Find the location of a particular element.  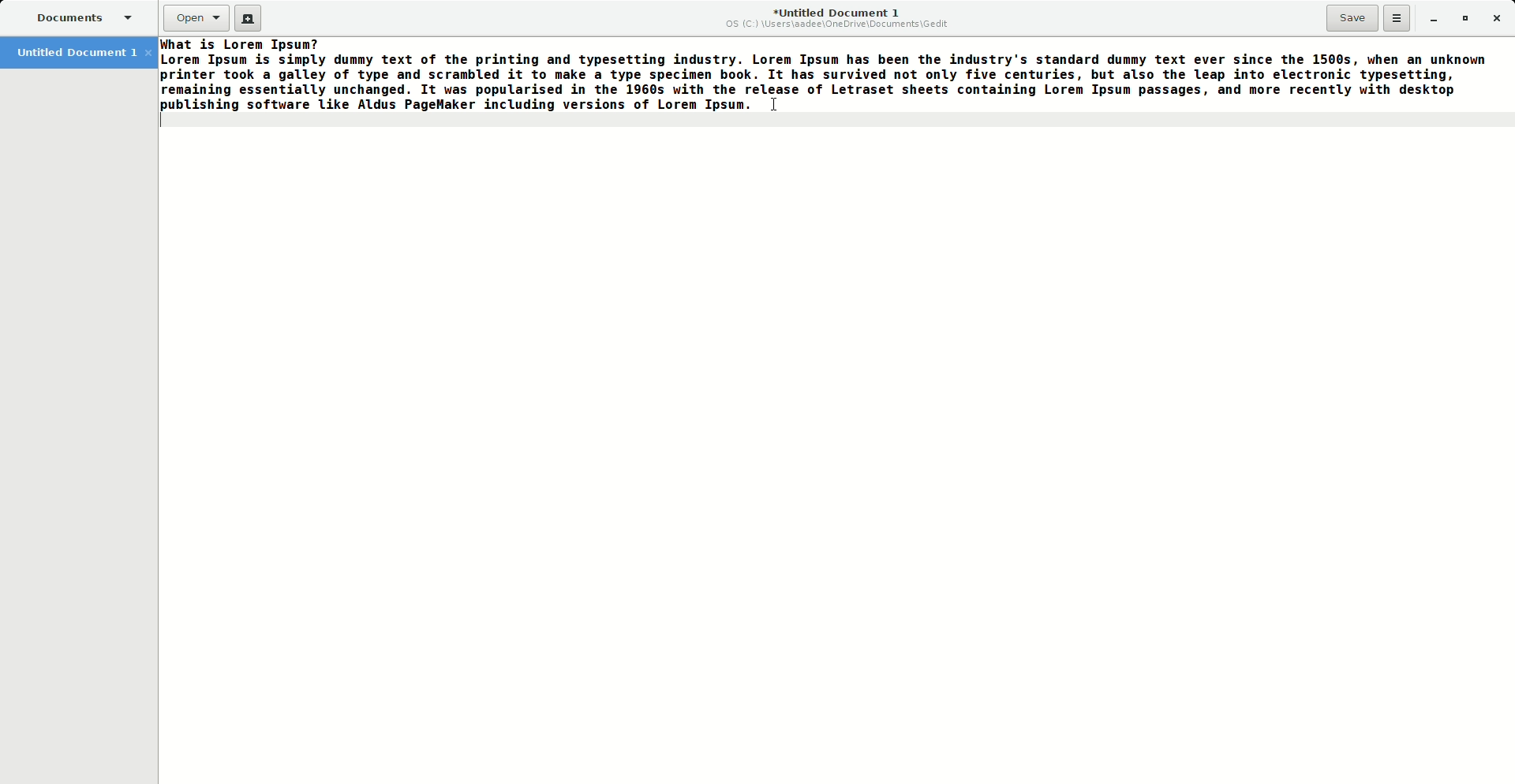

Untitled Document is located at coordinates (82, 51).